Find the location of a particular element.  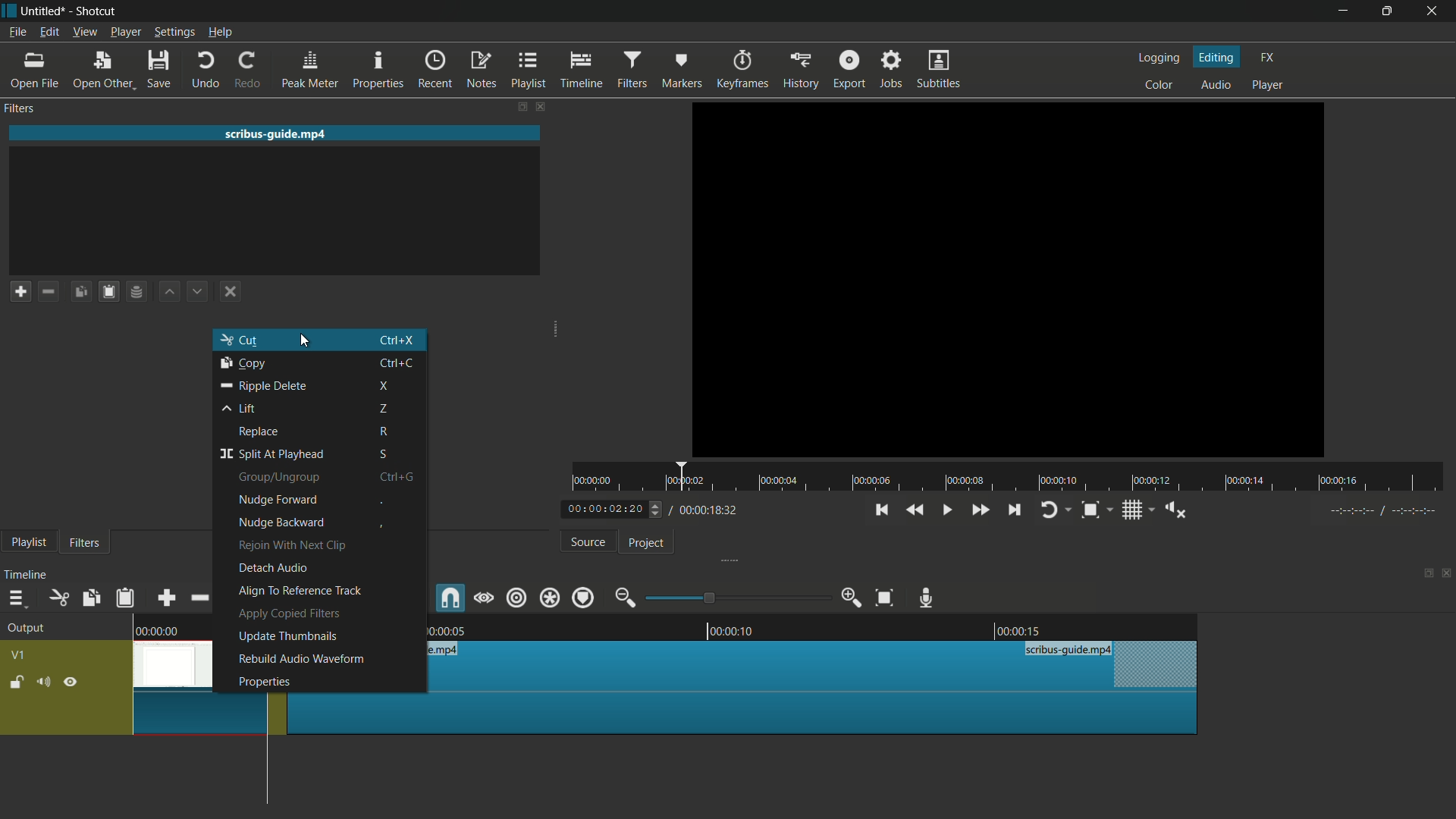

toggle play or pause is located at coordinates (946, 510).